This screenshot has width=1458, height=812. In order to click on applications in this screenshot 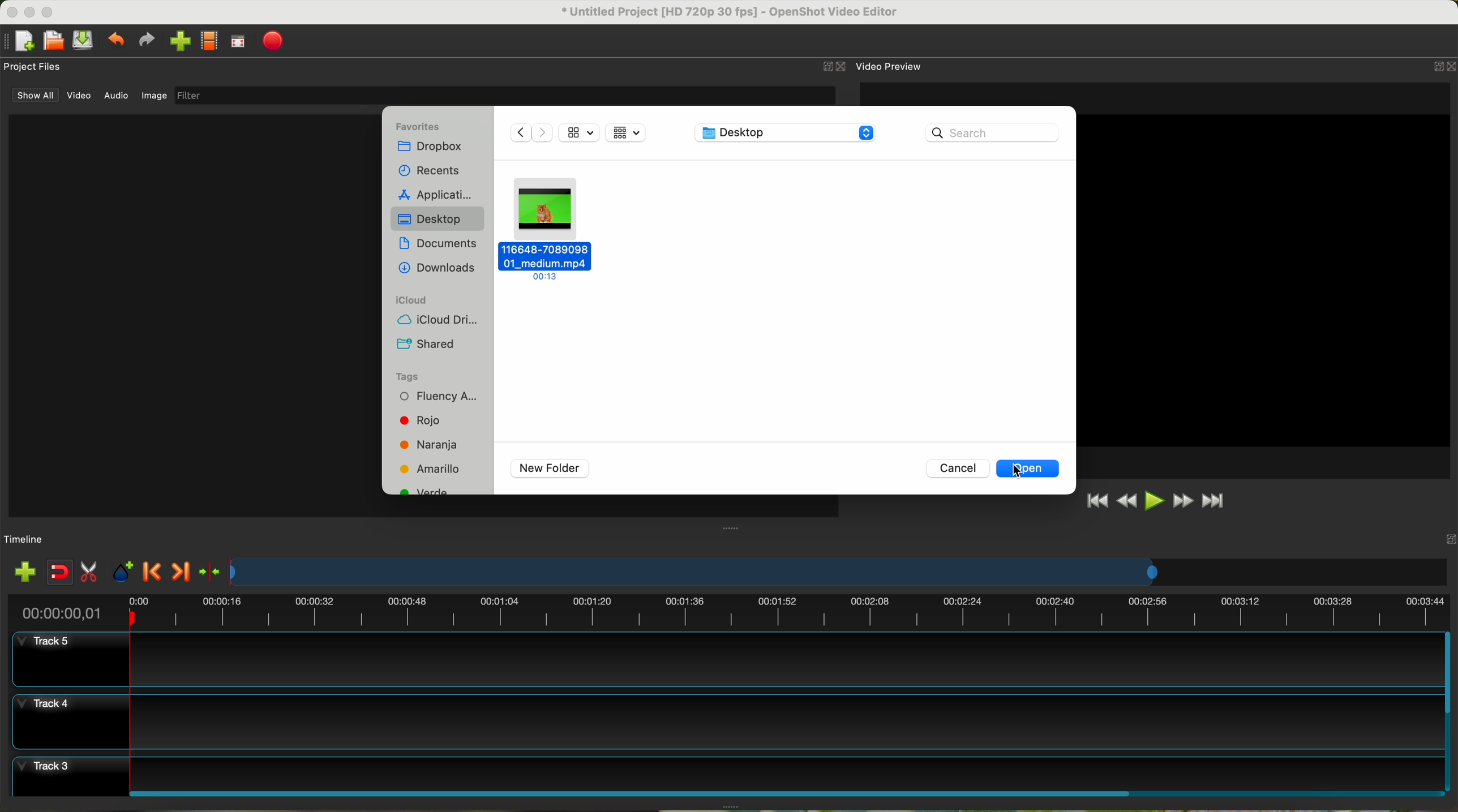, I will do `click(438, 193)`.